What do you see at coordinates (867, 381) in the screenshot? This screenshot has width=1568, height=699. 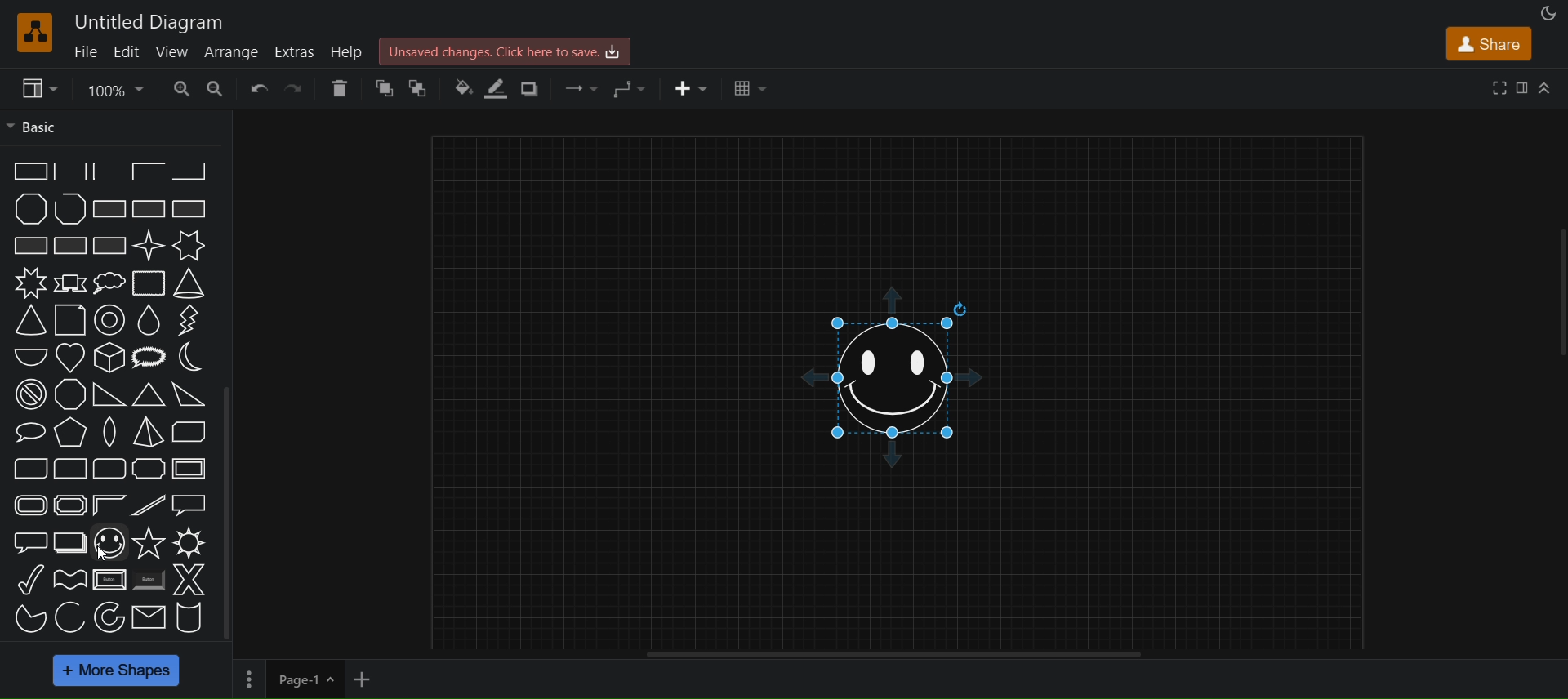 I see `smiley shape` at bounding box center [867, 381].